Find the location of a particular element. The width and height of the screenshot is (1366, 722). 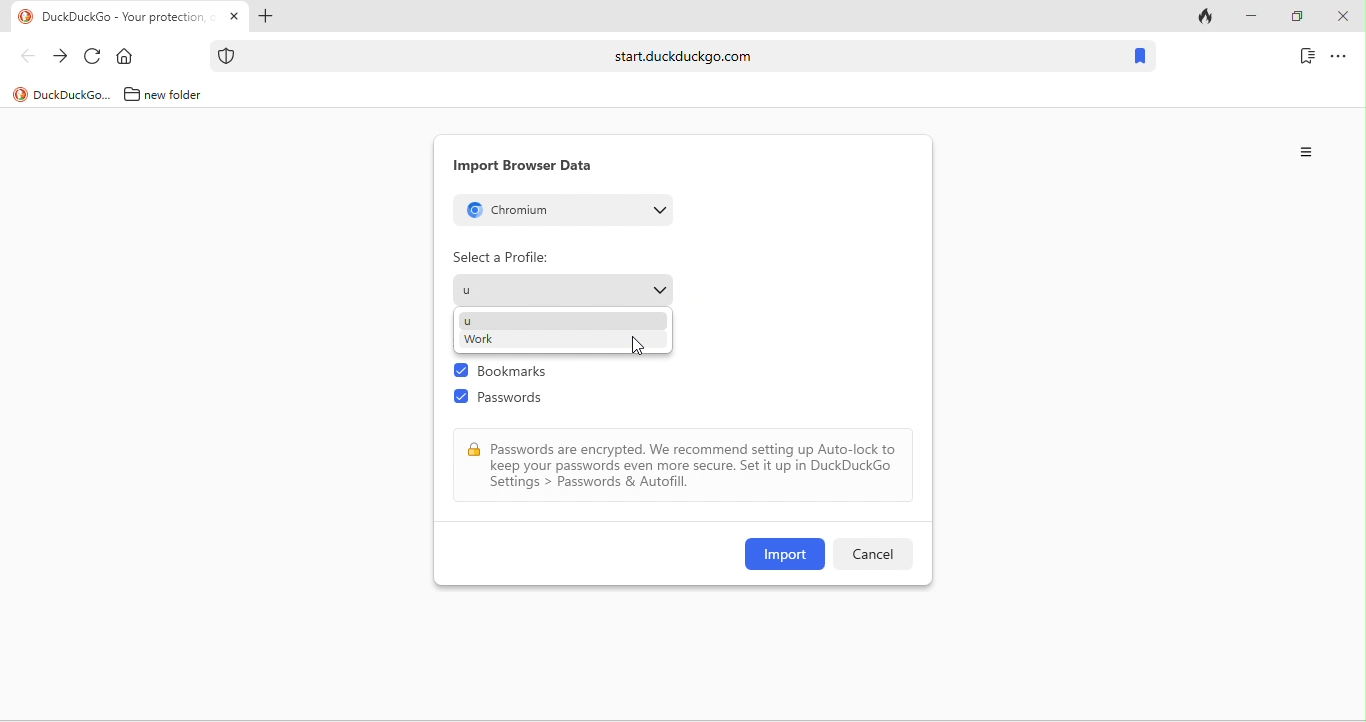

new folder is located at coordinates (181, 94).